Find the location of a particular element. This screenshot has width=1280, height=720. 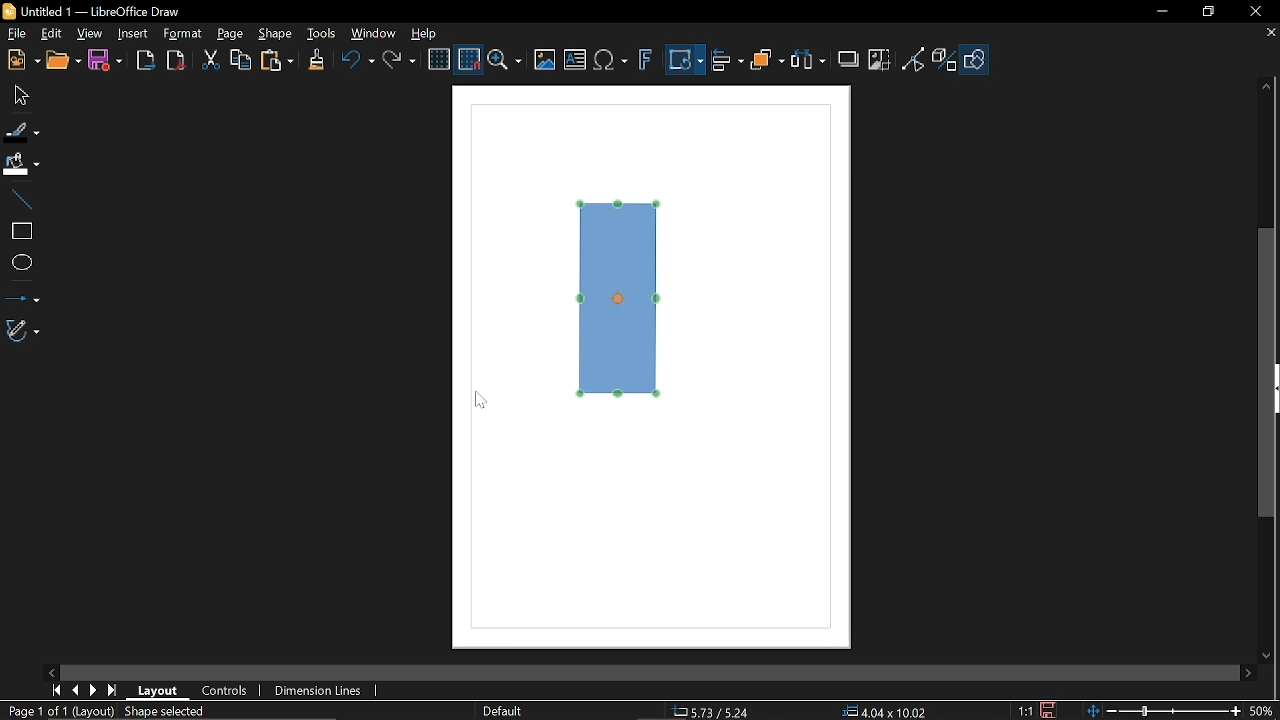

Export  is located at coordinates (145, 61).